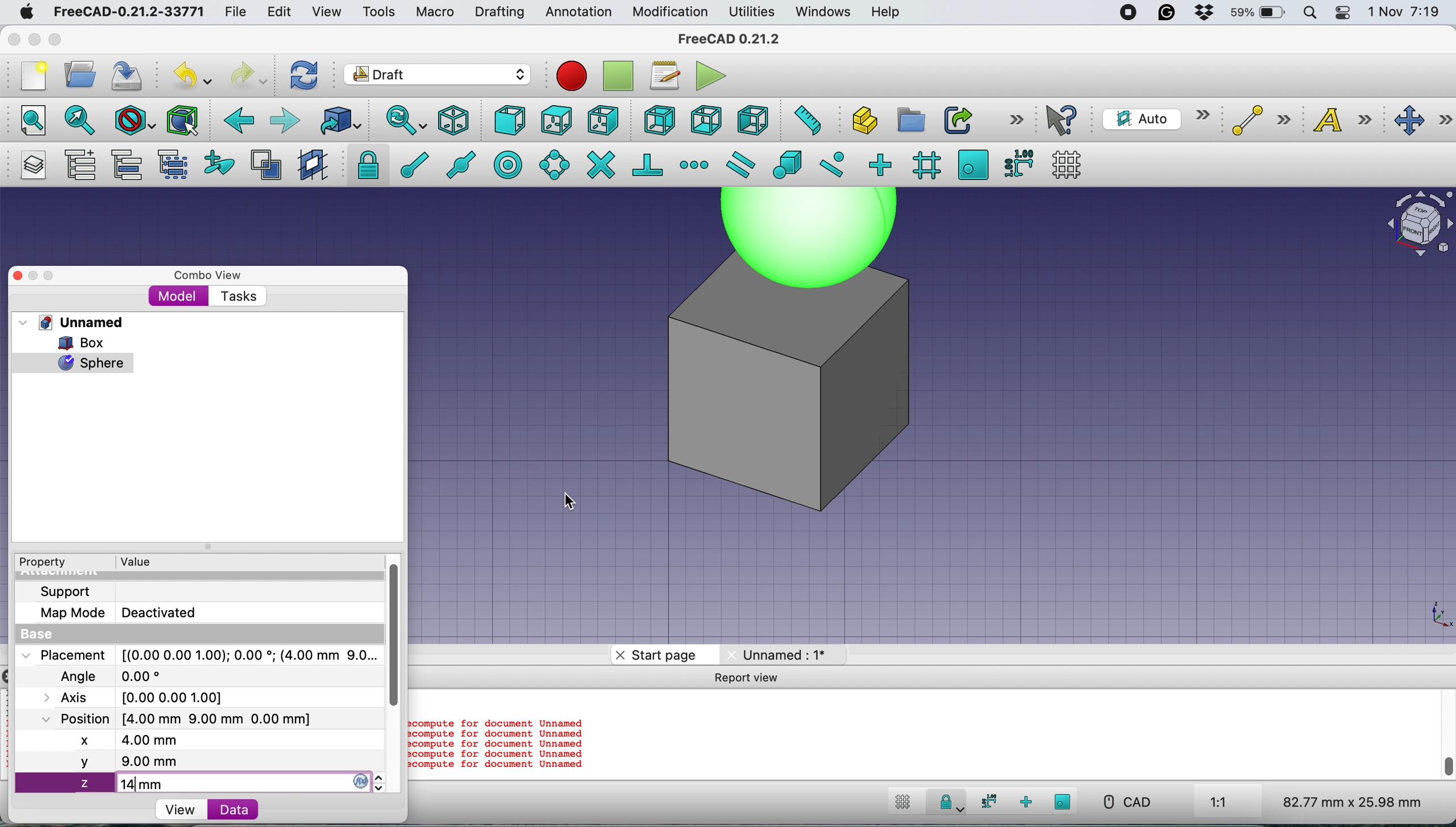 Image resolution: width=1456 pixels, height=827 pixels. I want to click on placement, so click(198, 654).